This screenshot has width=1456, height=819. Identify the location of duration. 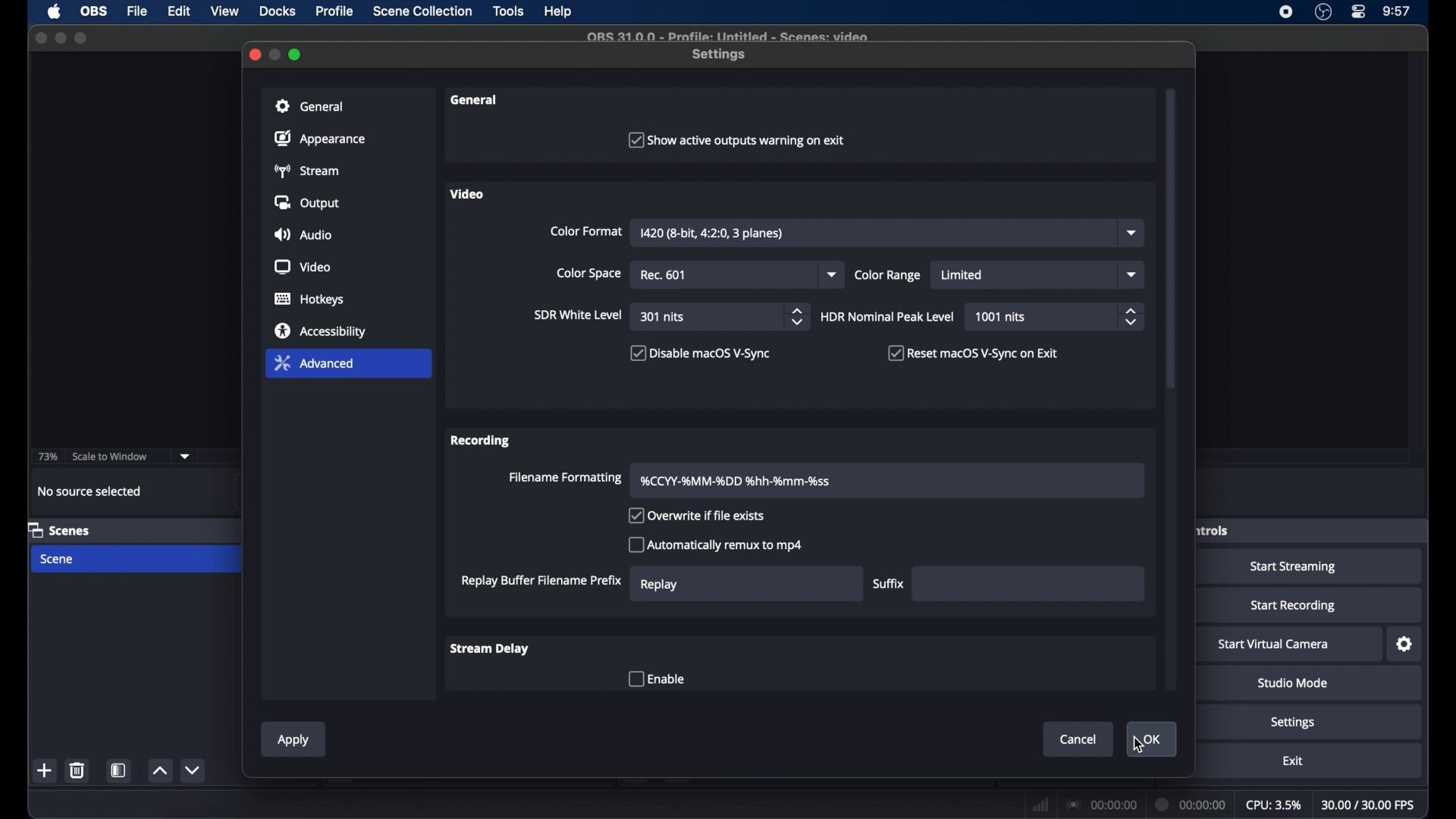
(1192, 806).